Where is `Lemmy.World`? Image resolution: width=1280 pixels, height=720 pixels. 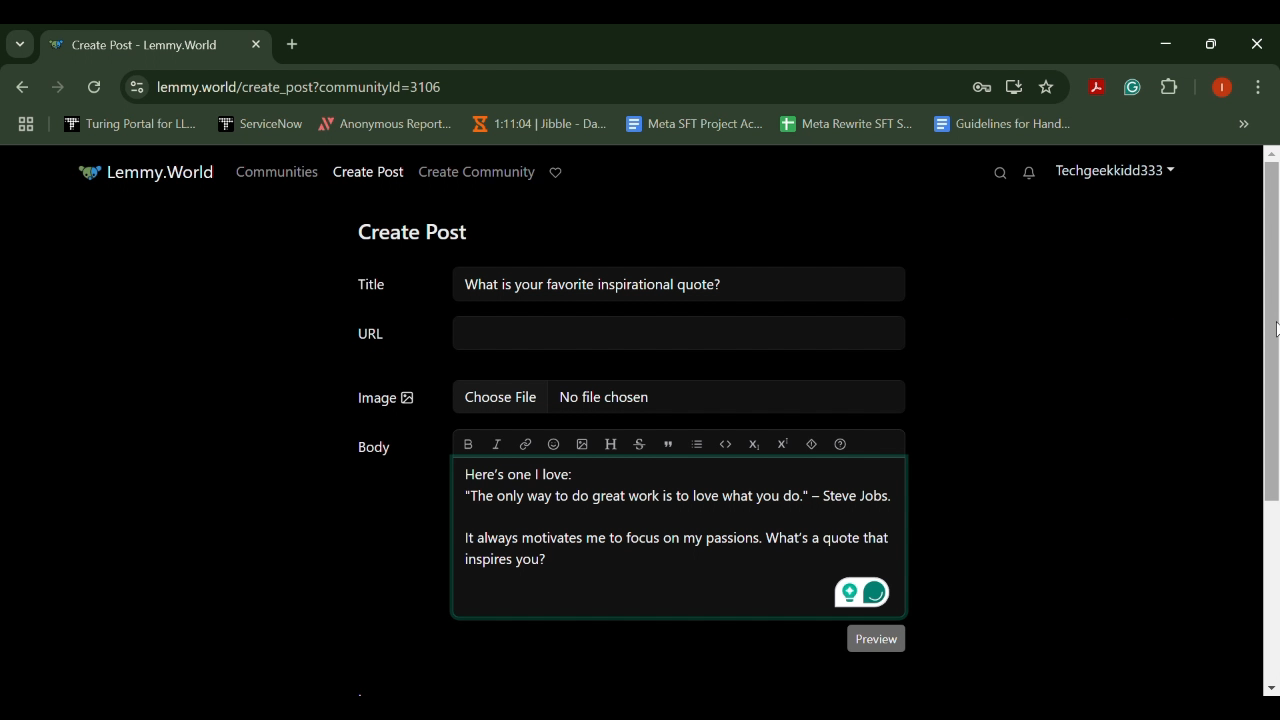 Lemmy.World is located at coordinates (146, 172).